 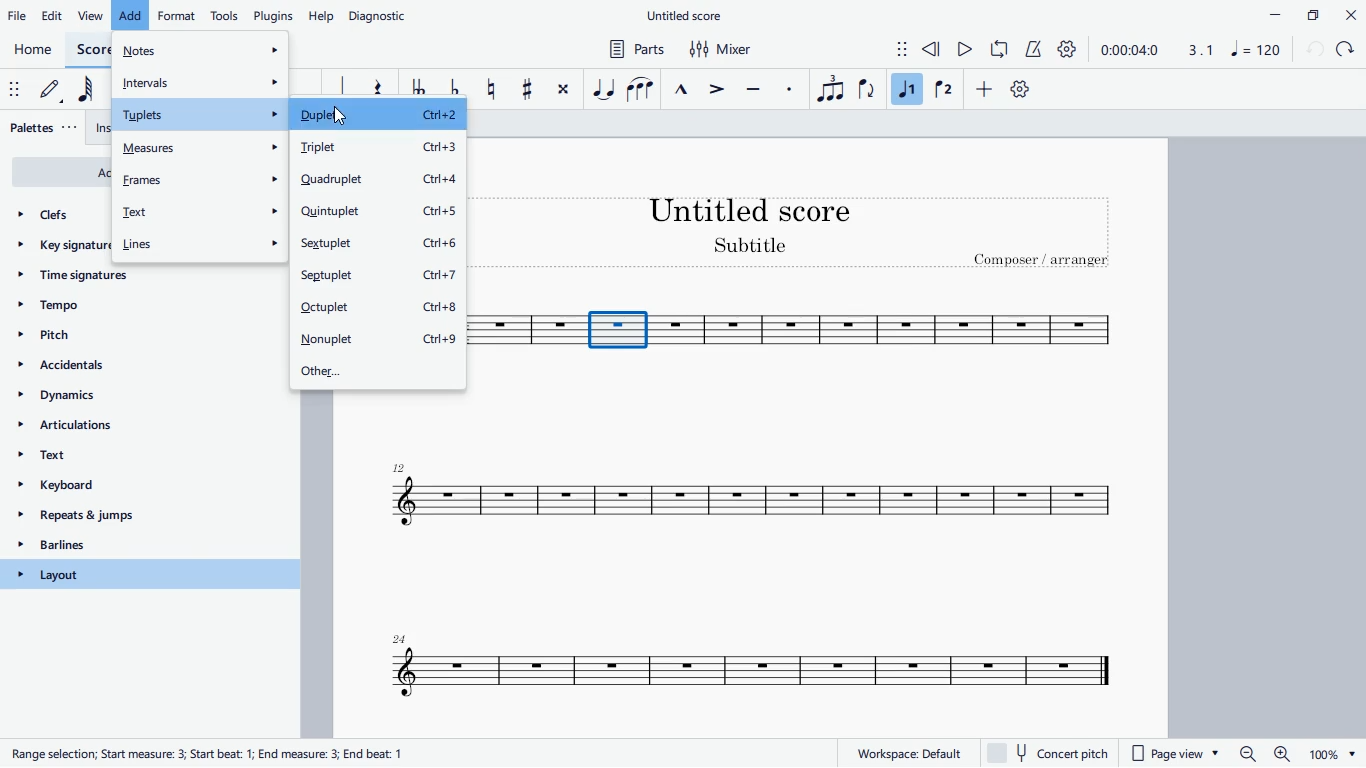 What do you see at coordinates (523, 331) in the screenshot?
I see `score` at bounding box center [523, 331].